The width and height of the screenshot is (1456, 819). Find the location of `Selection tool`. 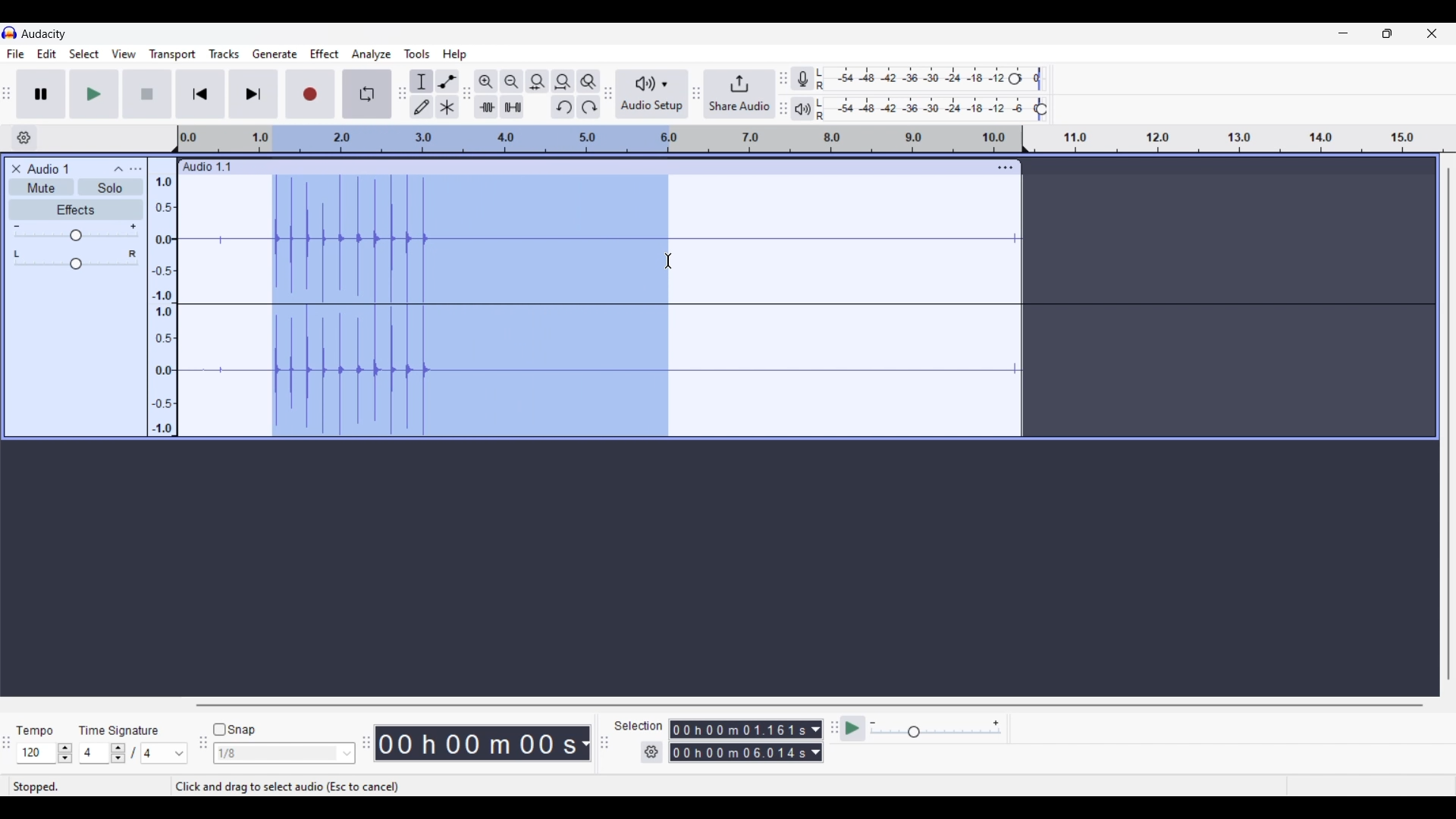

Selection tool is located at coordinates (421, 80).